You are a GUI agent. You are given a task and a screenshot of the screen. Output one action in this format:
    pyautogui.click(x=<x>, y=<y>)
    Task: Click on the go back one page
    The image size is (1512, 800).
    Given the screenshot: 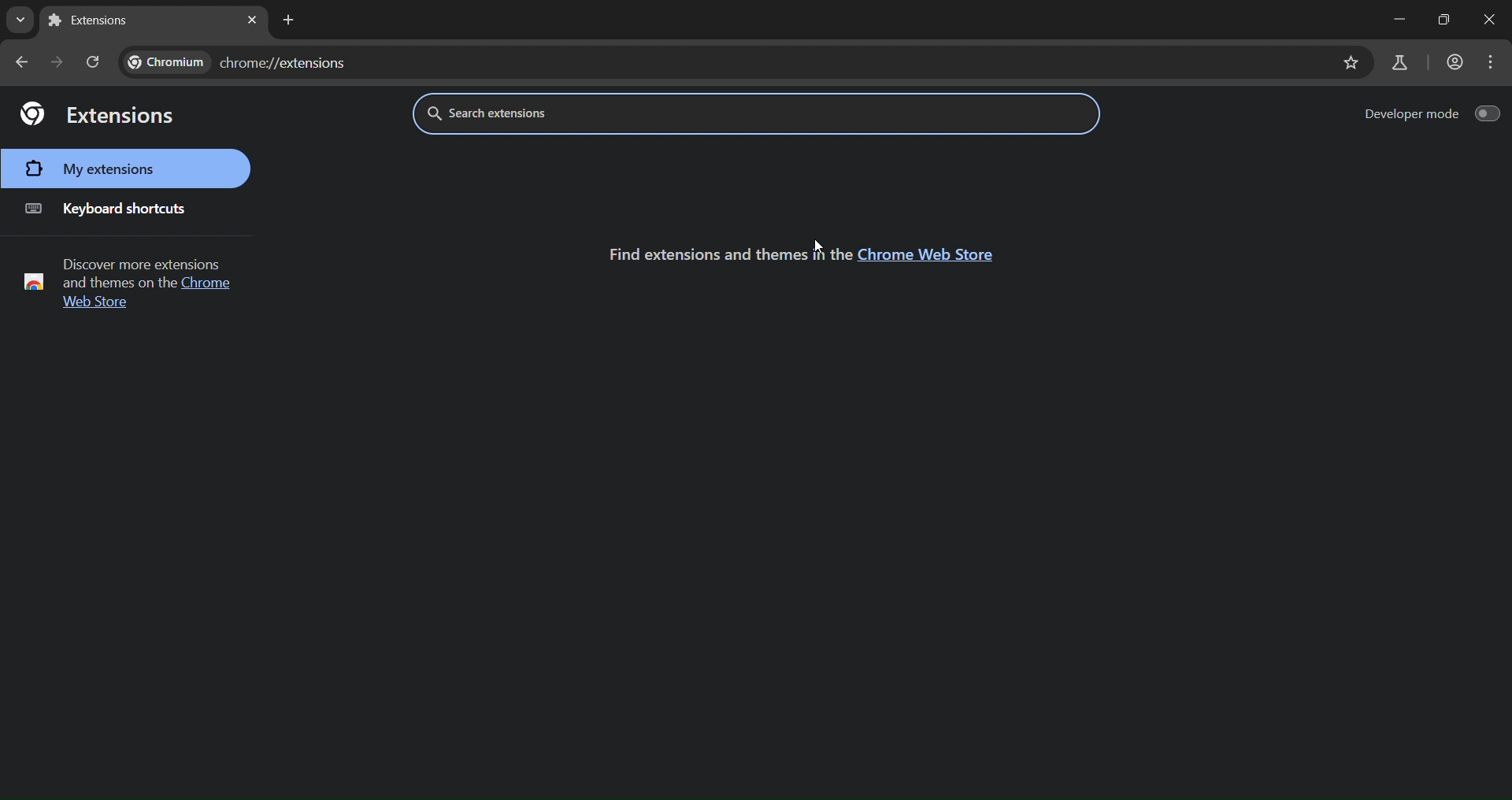 What is the action you would take?
    pyautogui.click(x=20, y=61)
    